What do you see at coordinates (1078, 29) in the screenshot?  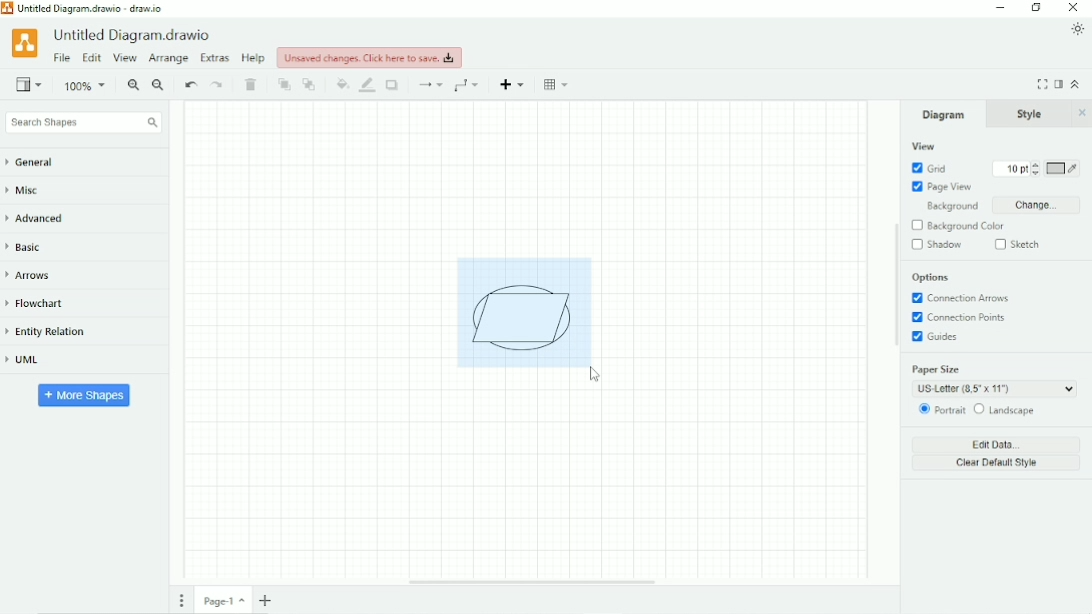 I see `Appearance` at bounding box center [1078, 29].